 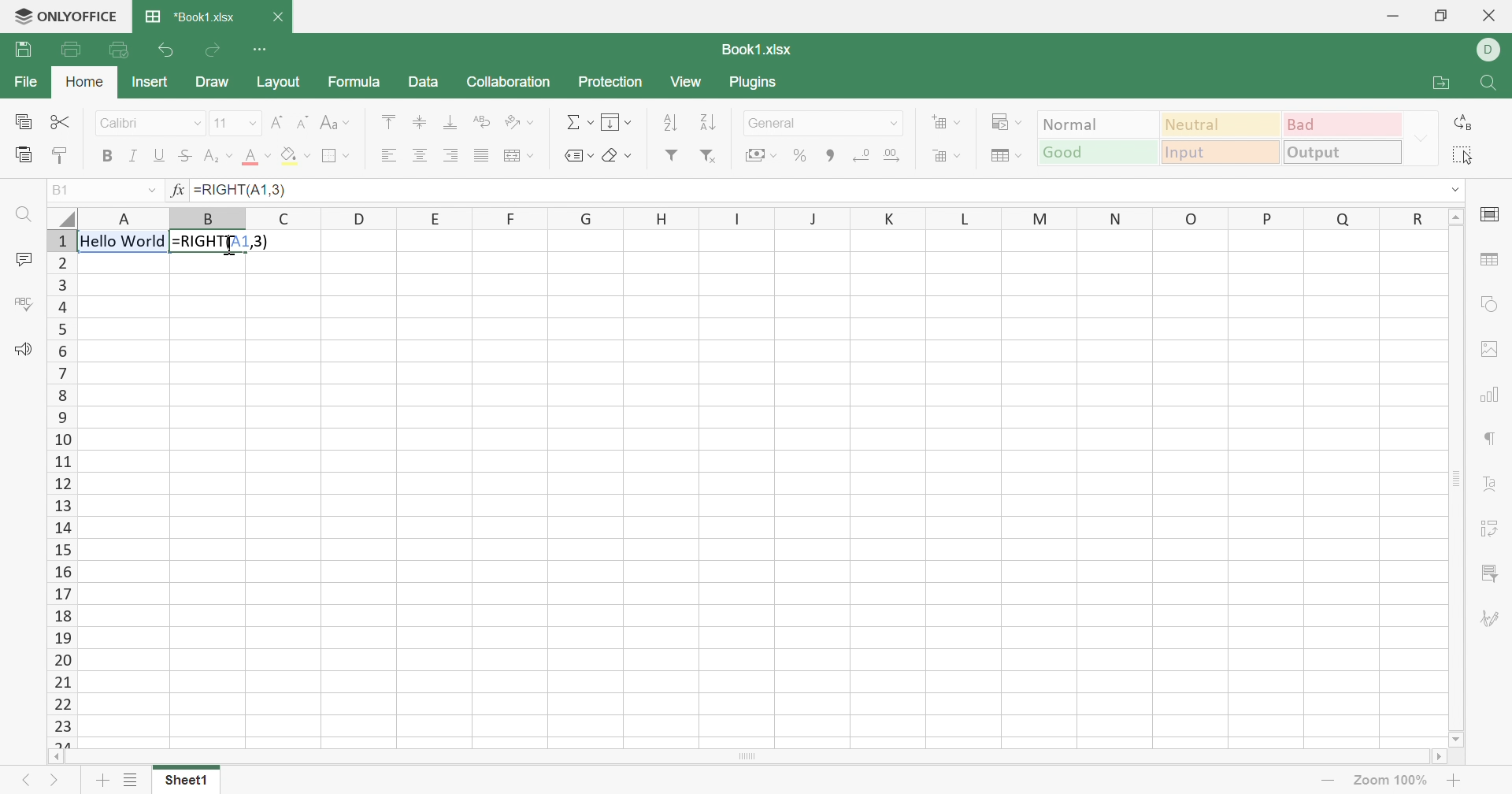 What do you see at coordinates (1488, 260) in the screenshot?
I see `table settings` at bounding box center [1488, 260].